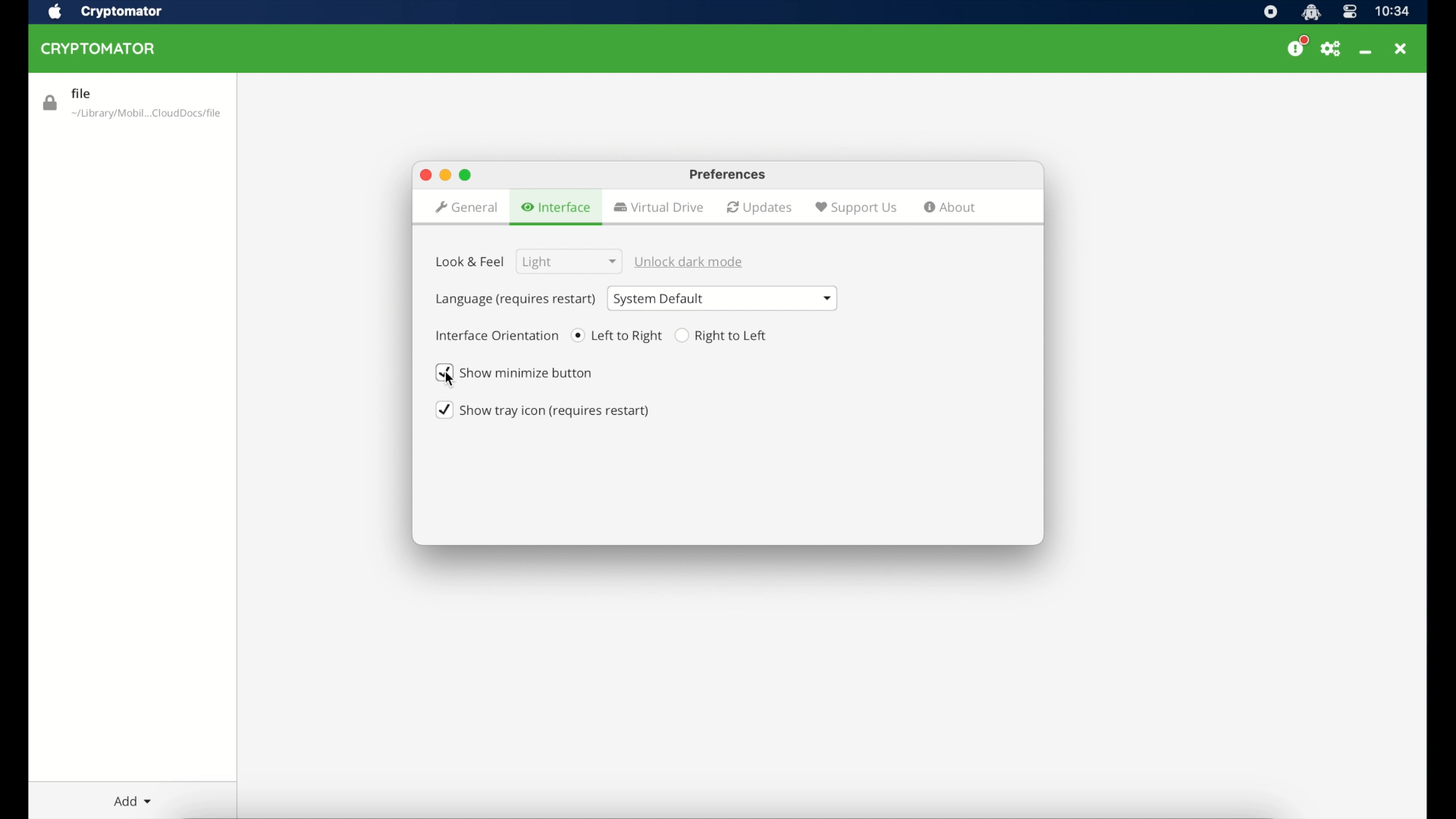 The image size is (1456, 819). What do you see at coordinates (691, 262) in the screenshot?
I see `unlock dark mode` at bounding box center [691, 262].